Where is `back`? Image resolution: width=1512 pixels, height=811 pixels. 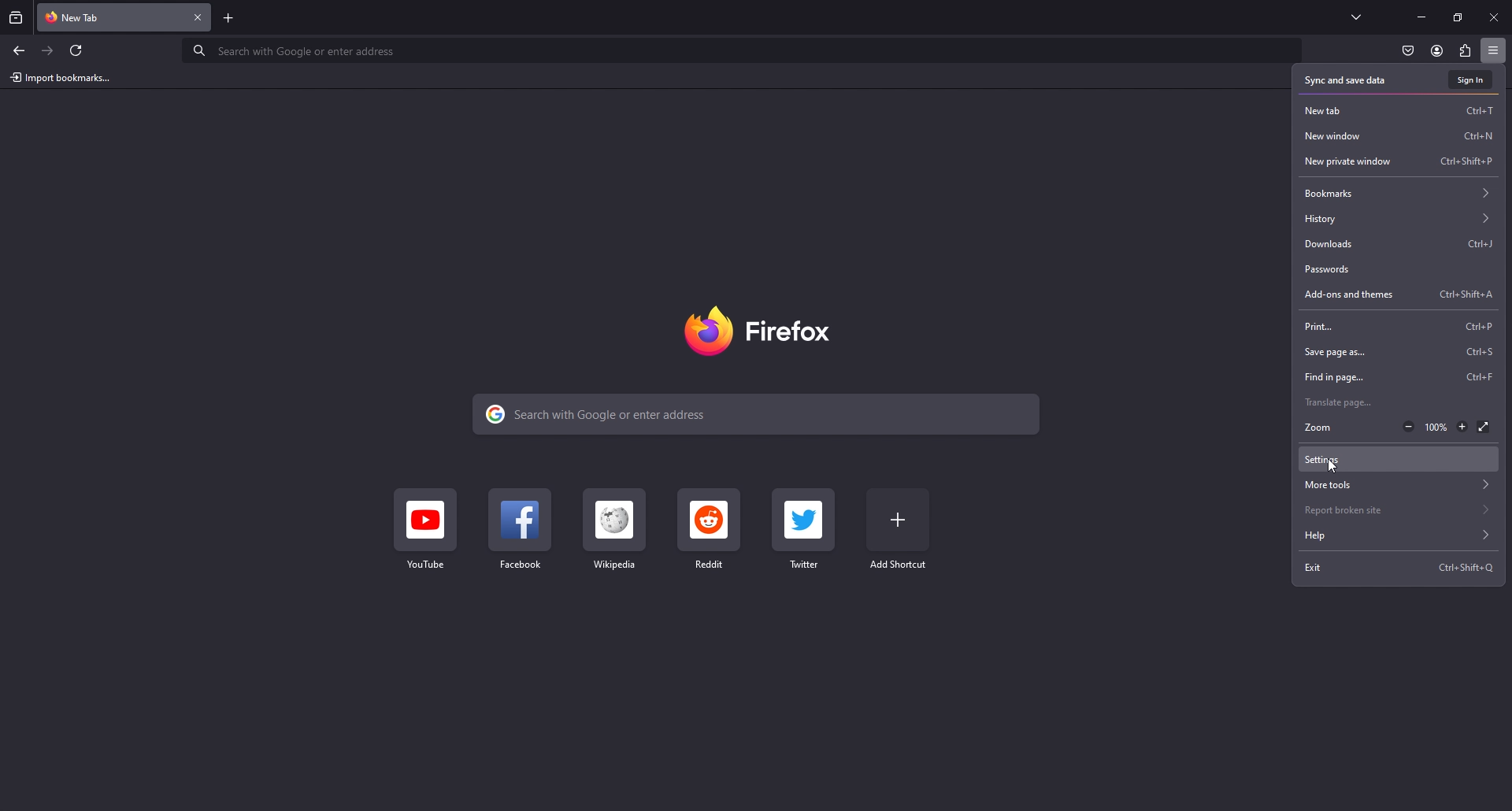
back is located at coordinates (18, 50).